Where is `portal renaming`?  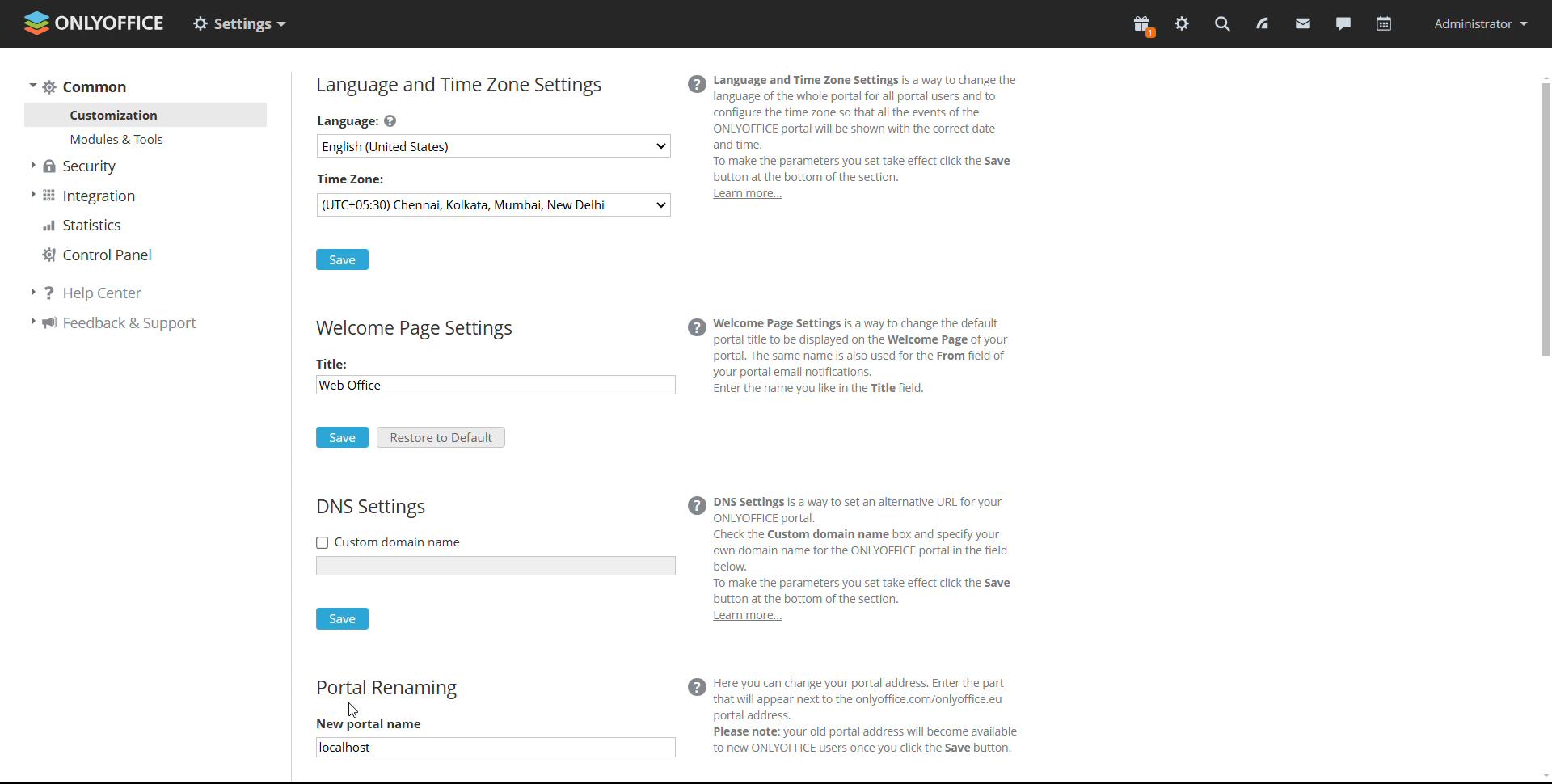
portal renaming is located at coordinates (386, 690).